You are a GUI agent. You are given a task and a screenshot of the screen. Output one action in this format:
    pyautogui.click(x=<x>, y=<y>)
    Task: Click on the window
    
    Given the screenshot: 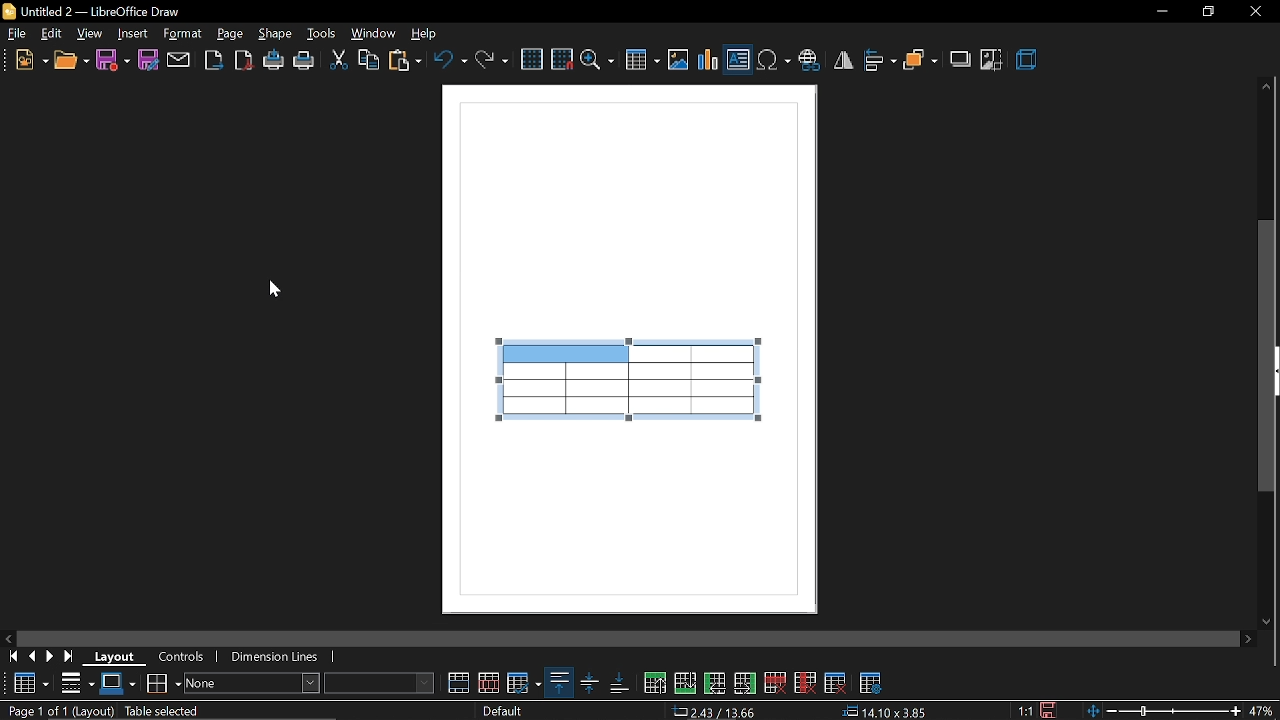 What is the action you would take?
    pyautogui.click(x=374, y=33)
    